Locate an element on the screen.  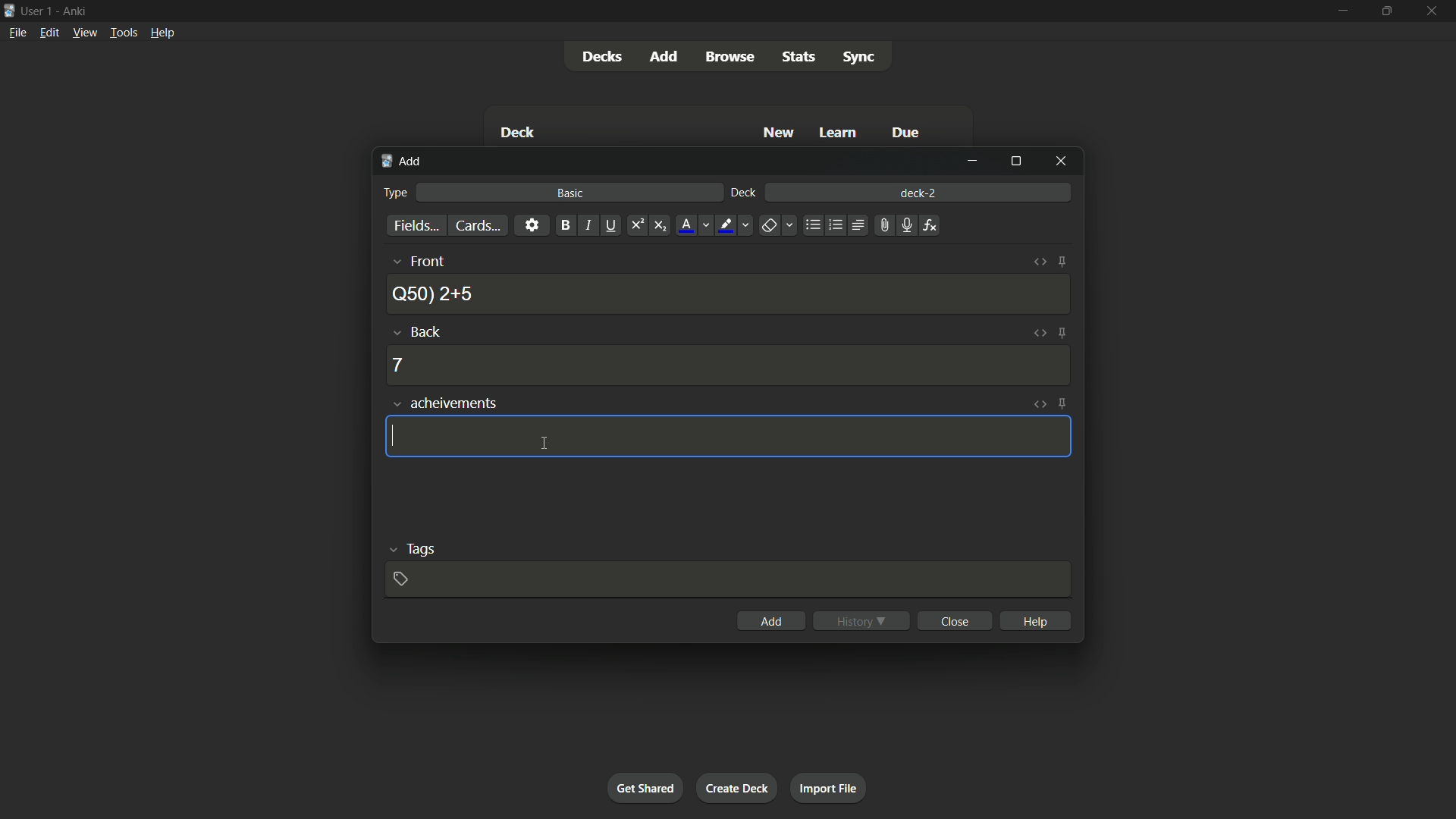
add is located at coordinates (771, 620).